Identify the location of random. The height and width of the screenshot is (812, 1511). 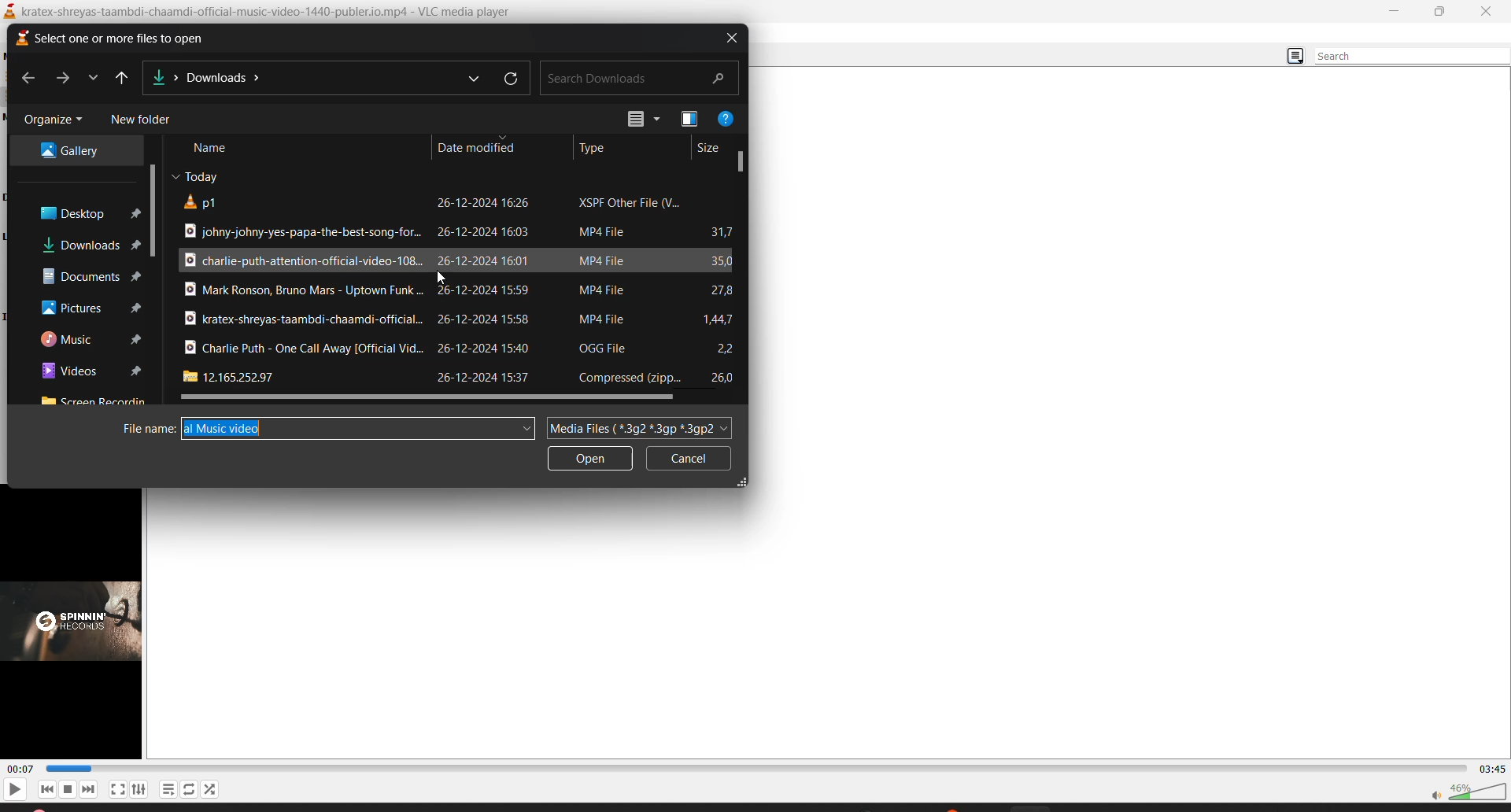
(206, 789).